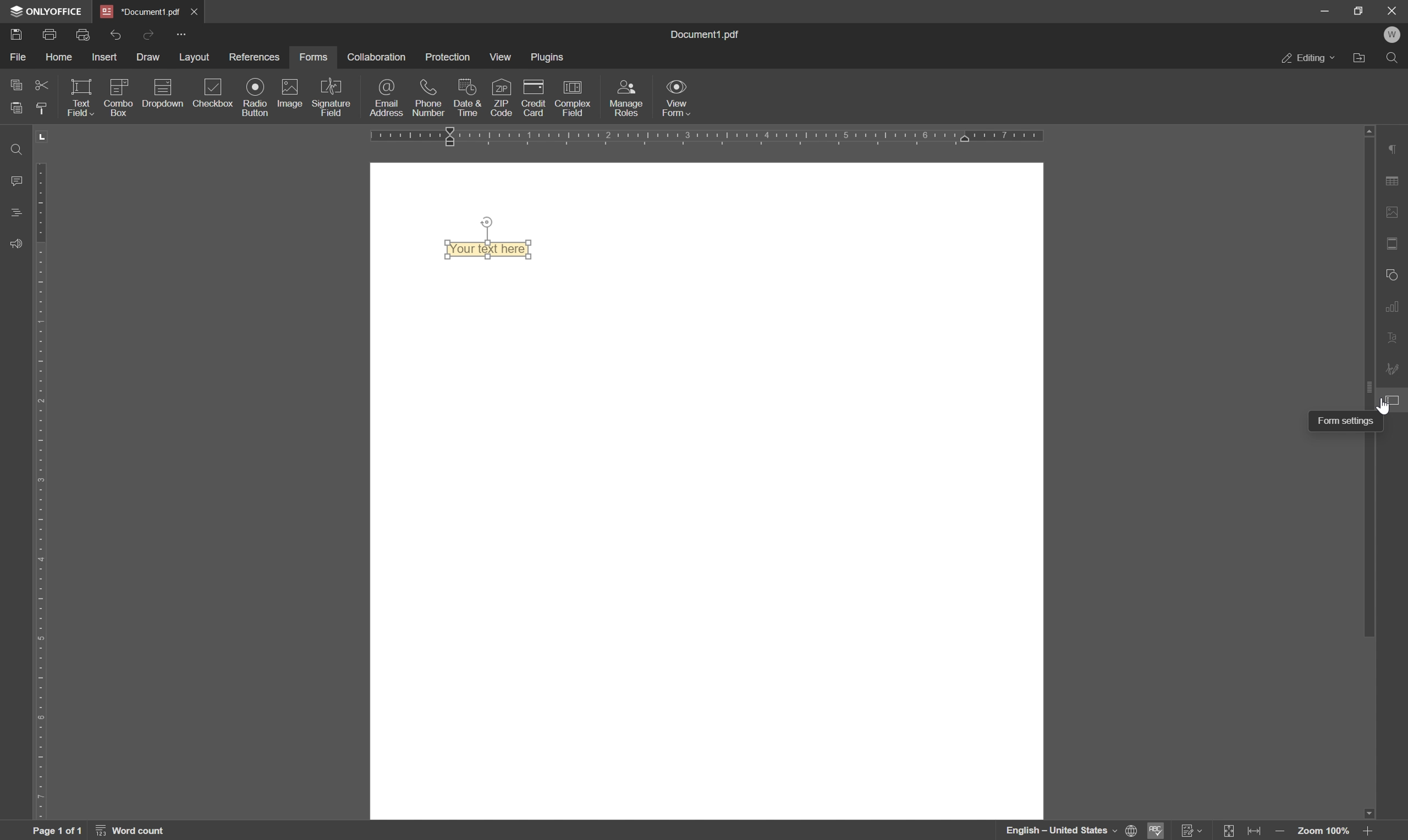 Image resolution: width=1408 pixels, height=840 pixels. I want to click on text art settings, so click(1395, 340).